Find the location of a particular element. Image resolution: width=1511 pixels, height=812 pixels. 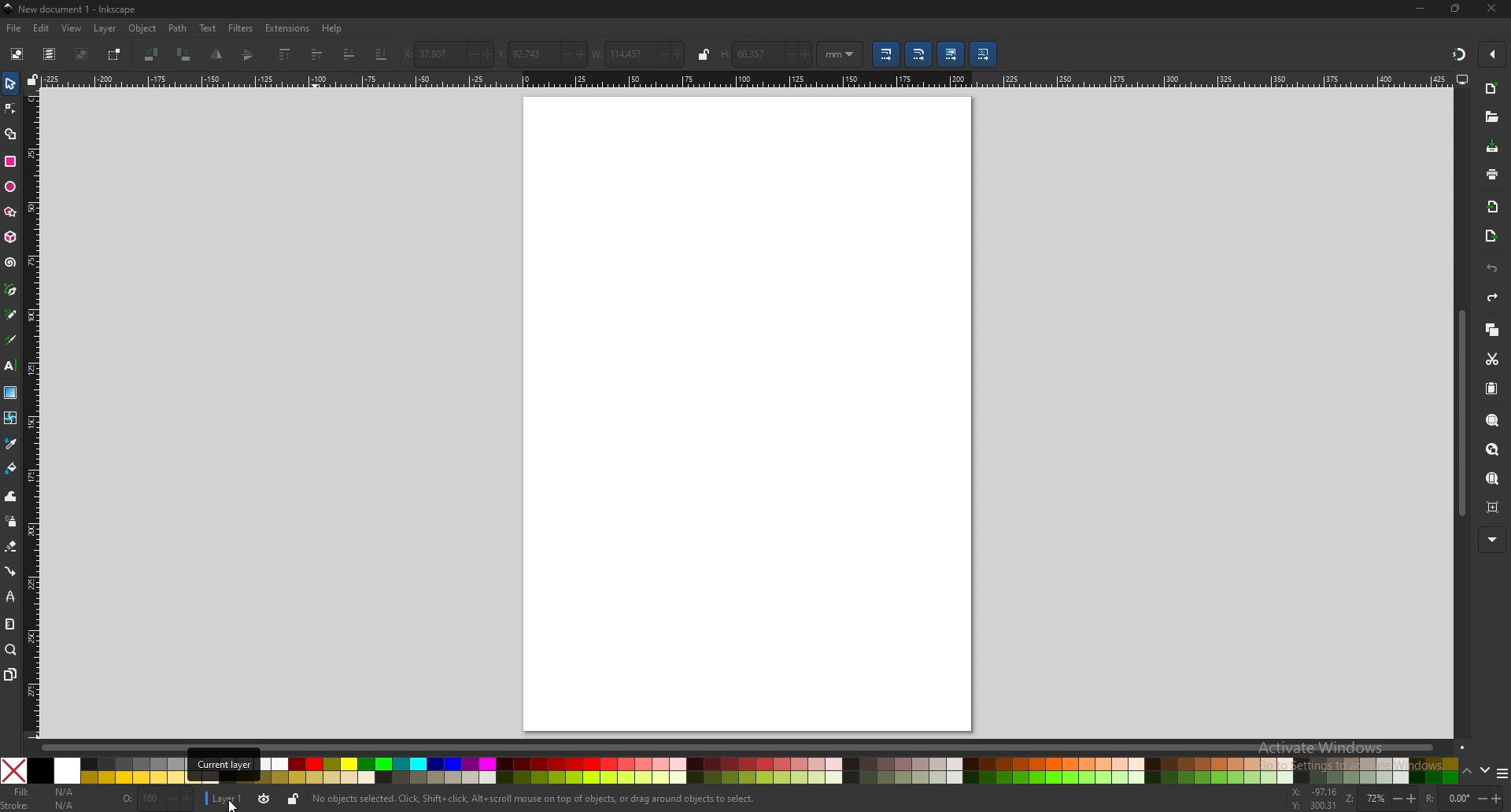

tweak is located at coordinates (10, 496).